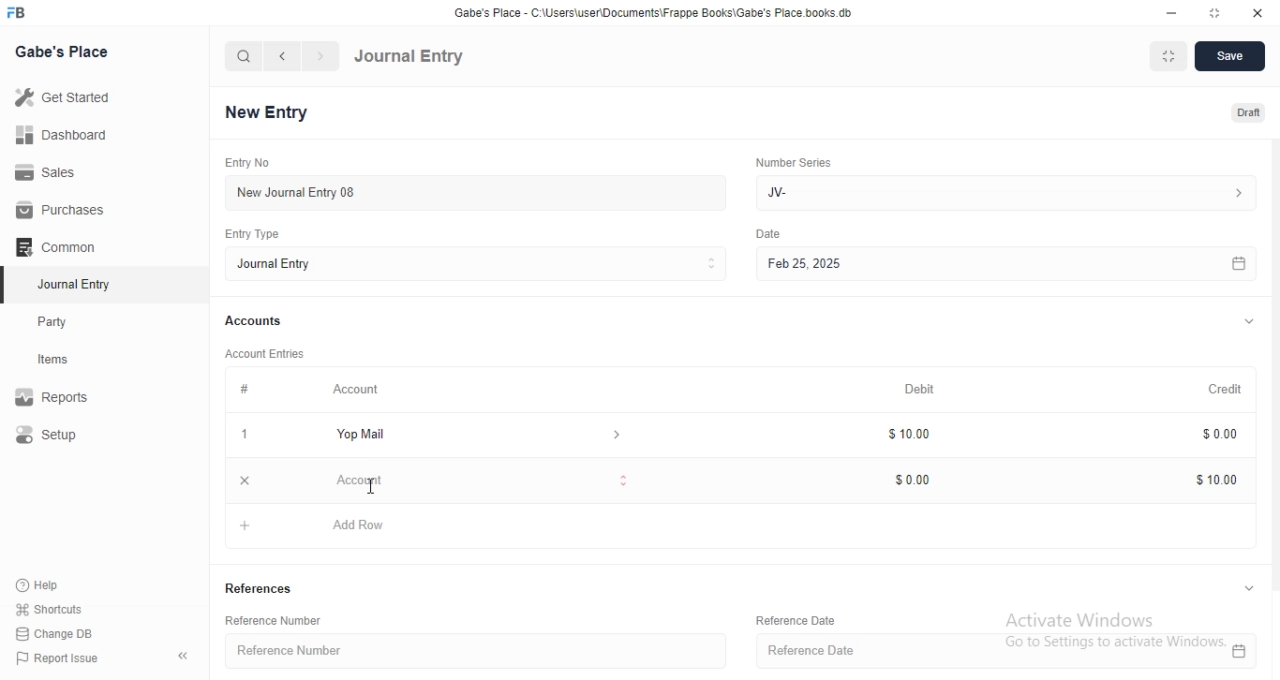 This screenshot has width=1280, height=680. Describe the element at coordinates (1238, 111) in the screenshot. I see `Draft` at that location.